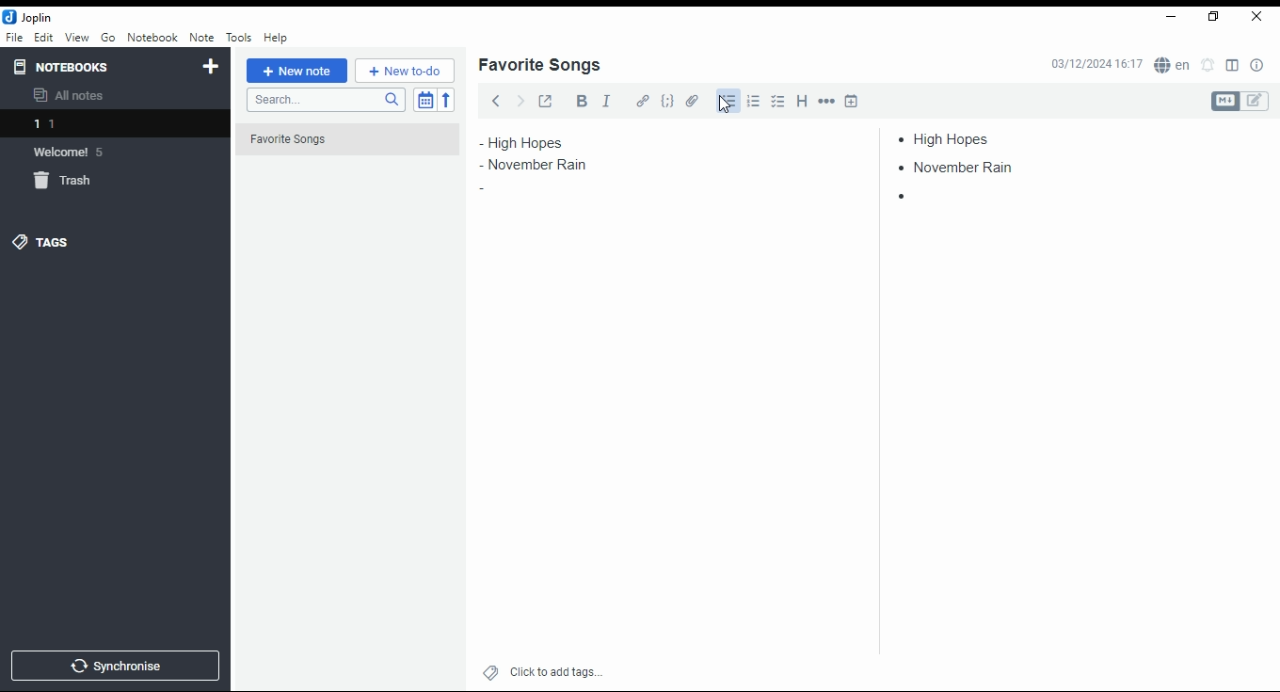  What do you see at coordinates (643, 100) in the screenshot?
I see `hyperlink` at bounding box center [643, 100].